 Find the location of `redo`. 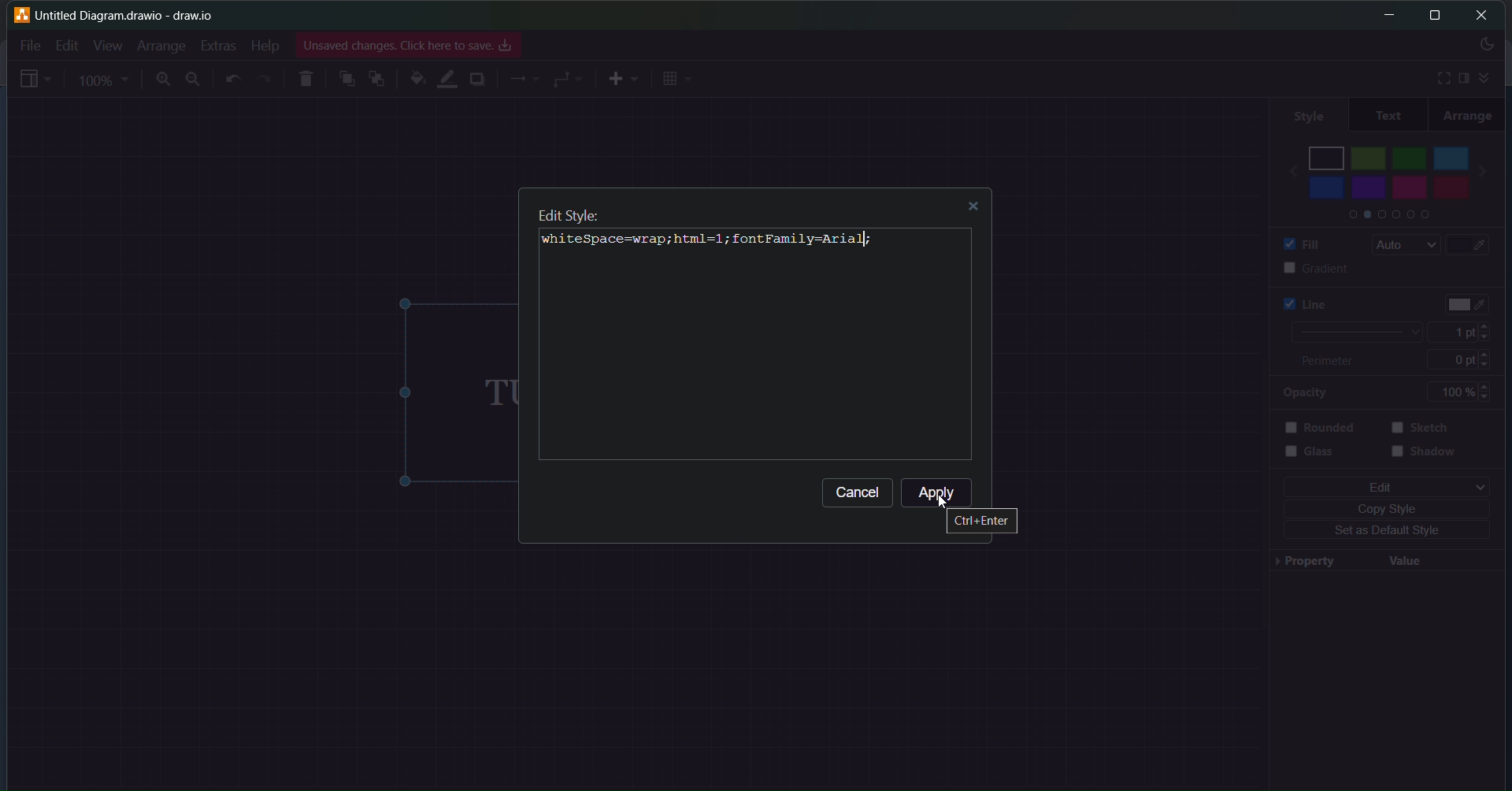

redo is located at coordinates (265, 79).